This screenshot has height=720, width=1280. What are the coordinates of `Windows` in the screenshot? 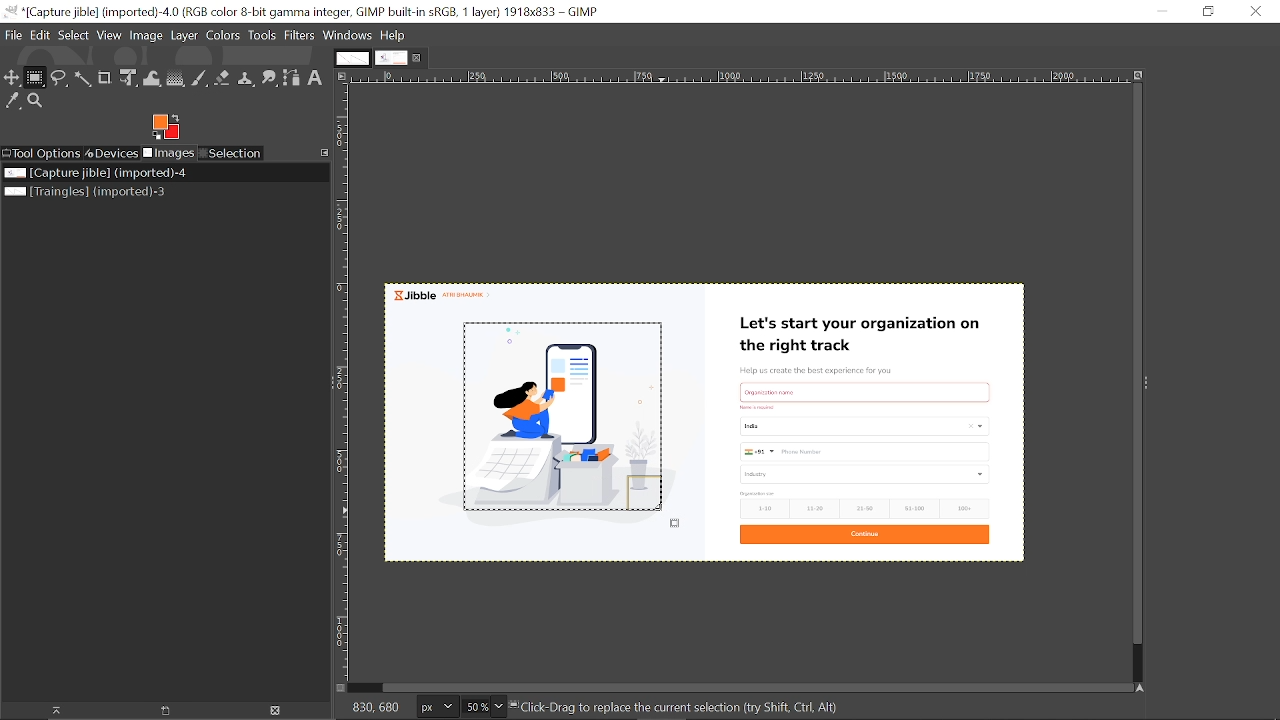 It's located at (347, 35).